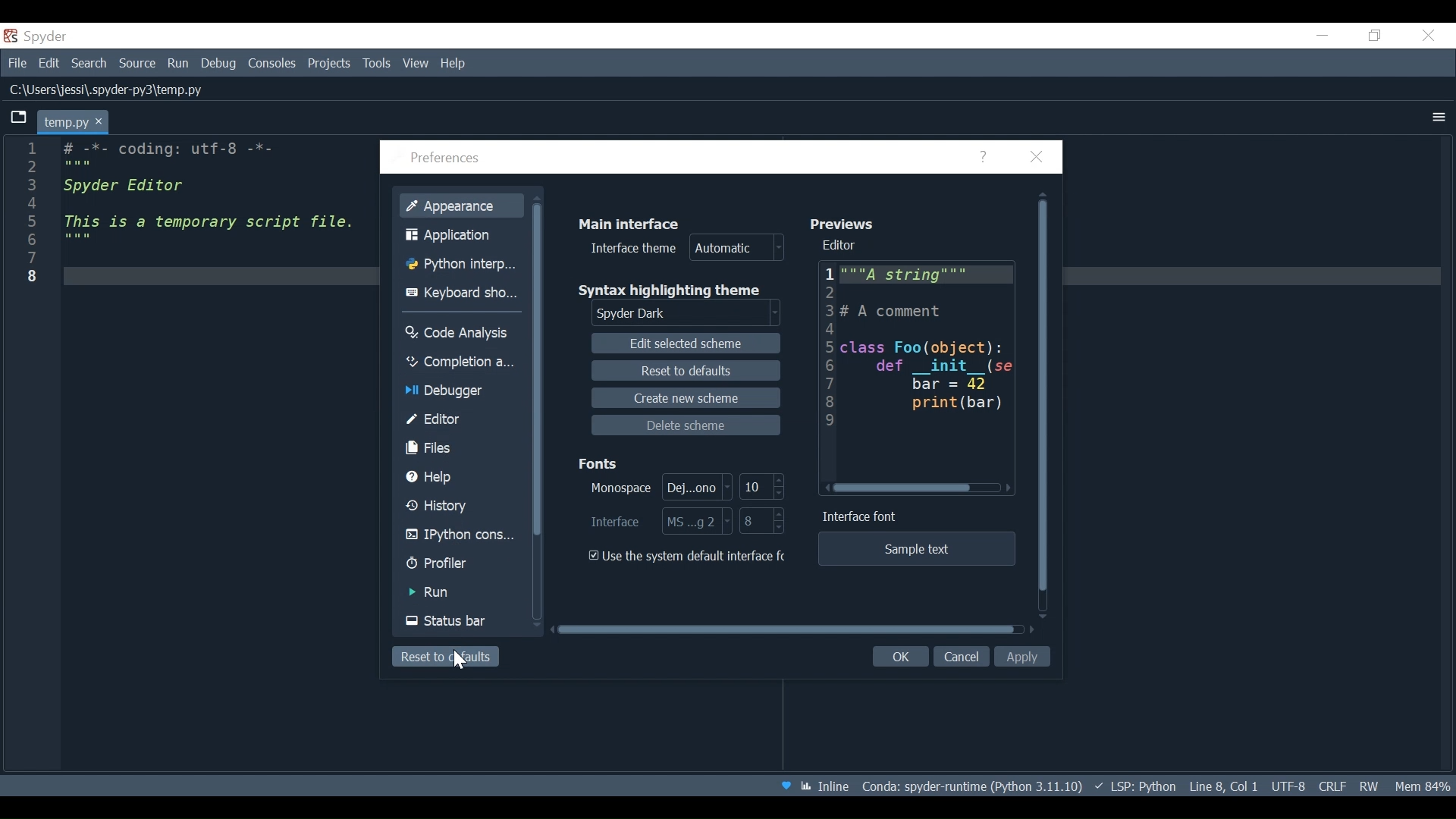 This screenshot has height=819, width=1456. Describe the element at coordinates (1429, 34) in the screenshot. I see `Close` at that location.